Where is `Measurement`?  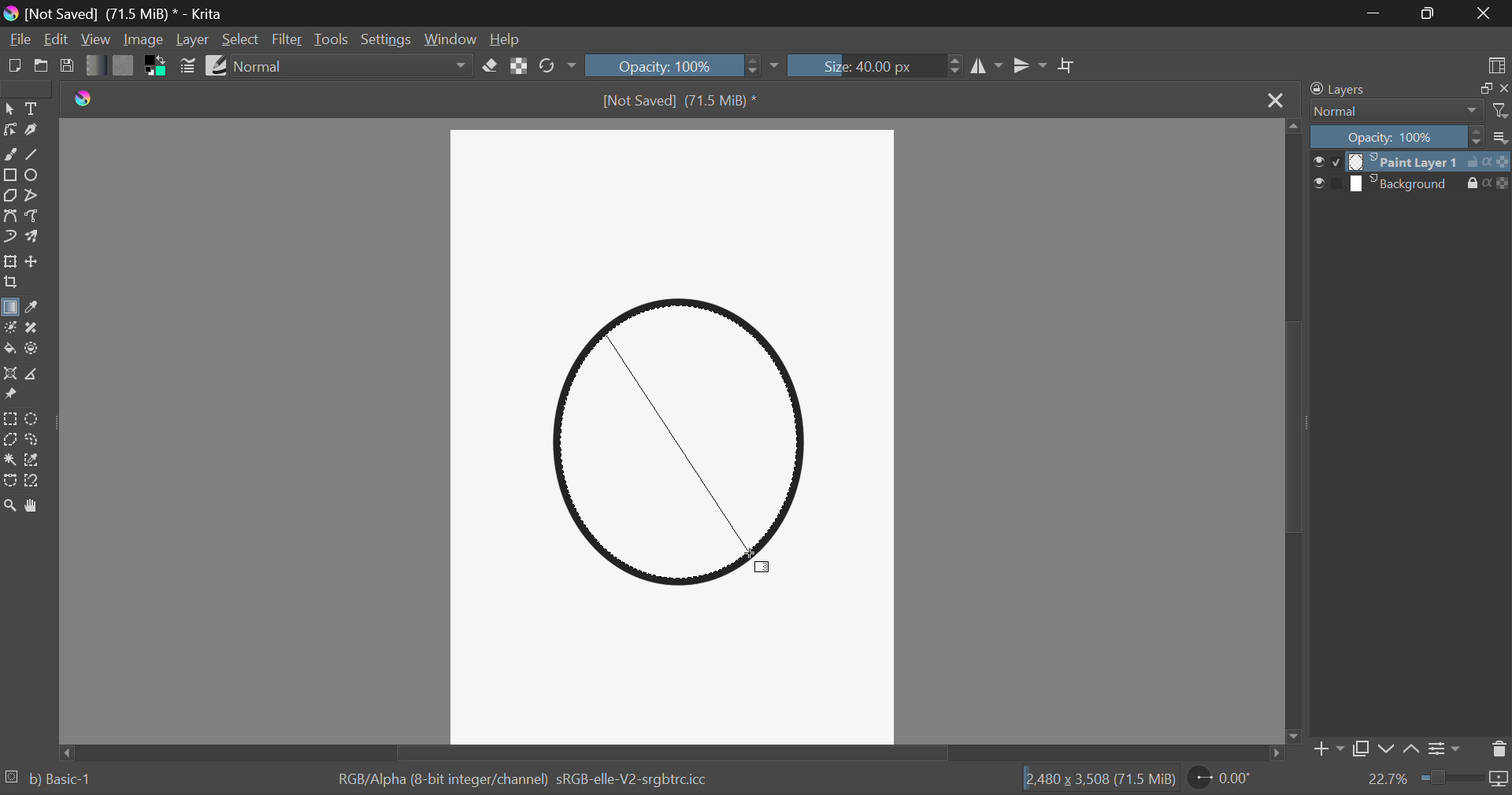
Measurement is located at coordinates (37, 375).